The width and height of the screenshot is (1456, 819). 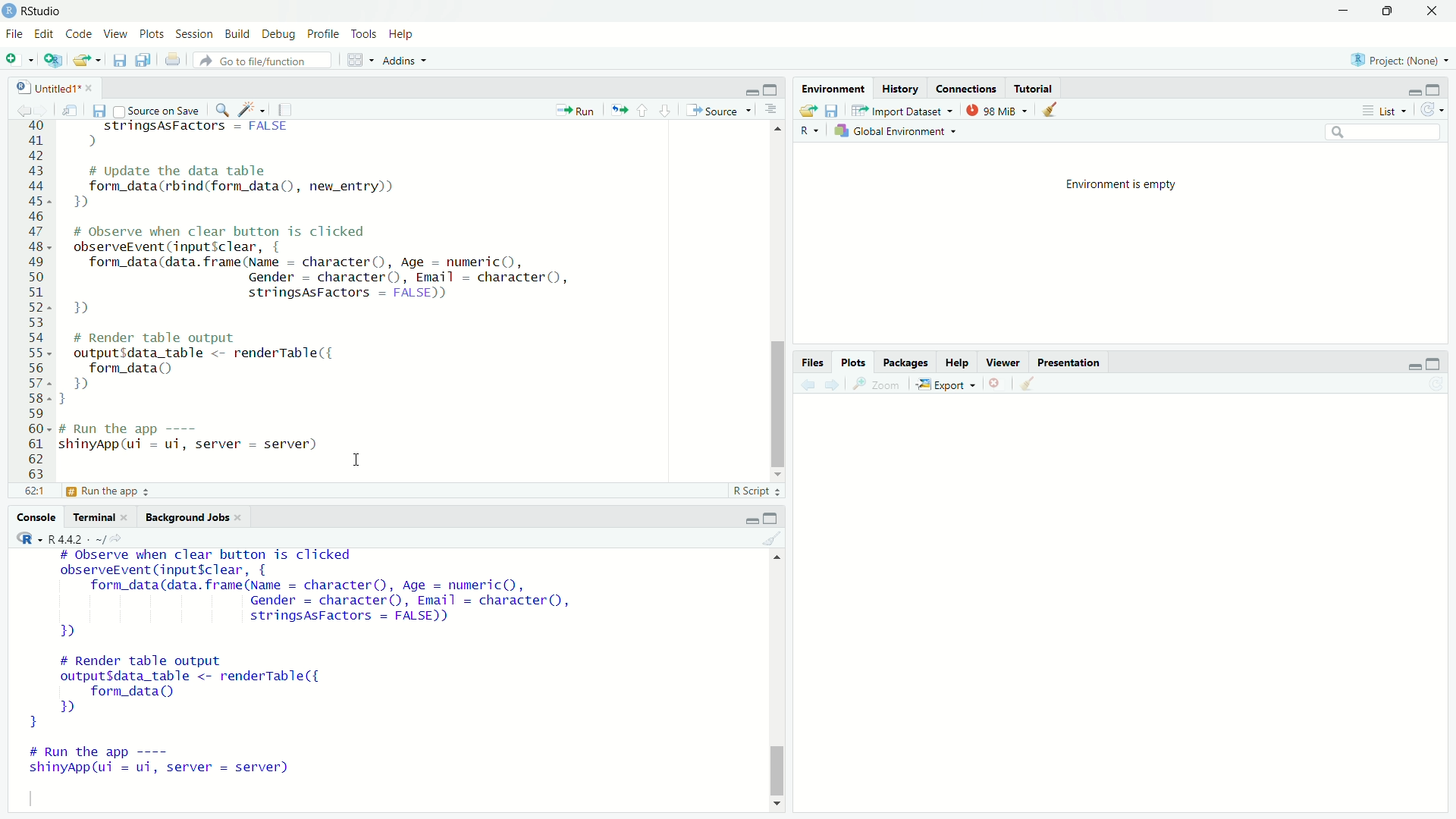 I want to click on close, so click(x=129, y=517).